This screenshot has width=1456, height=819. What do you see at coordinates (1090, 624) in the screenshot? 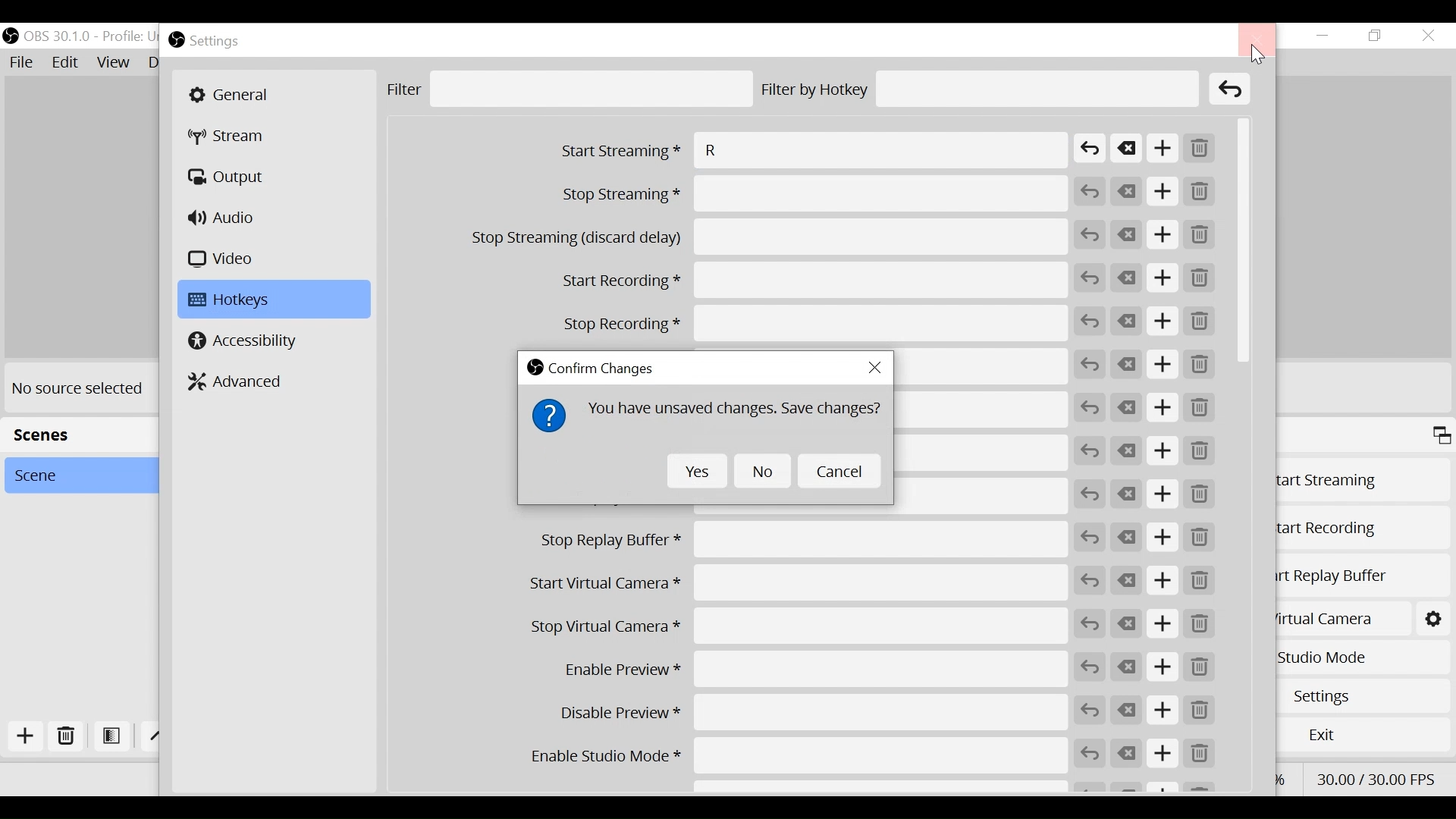
I see `Revert` at bounding box center [1090, 624].